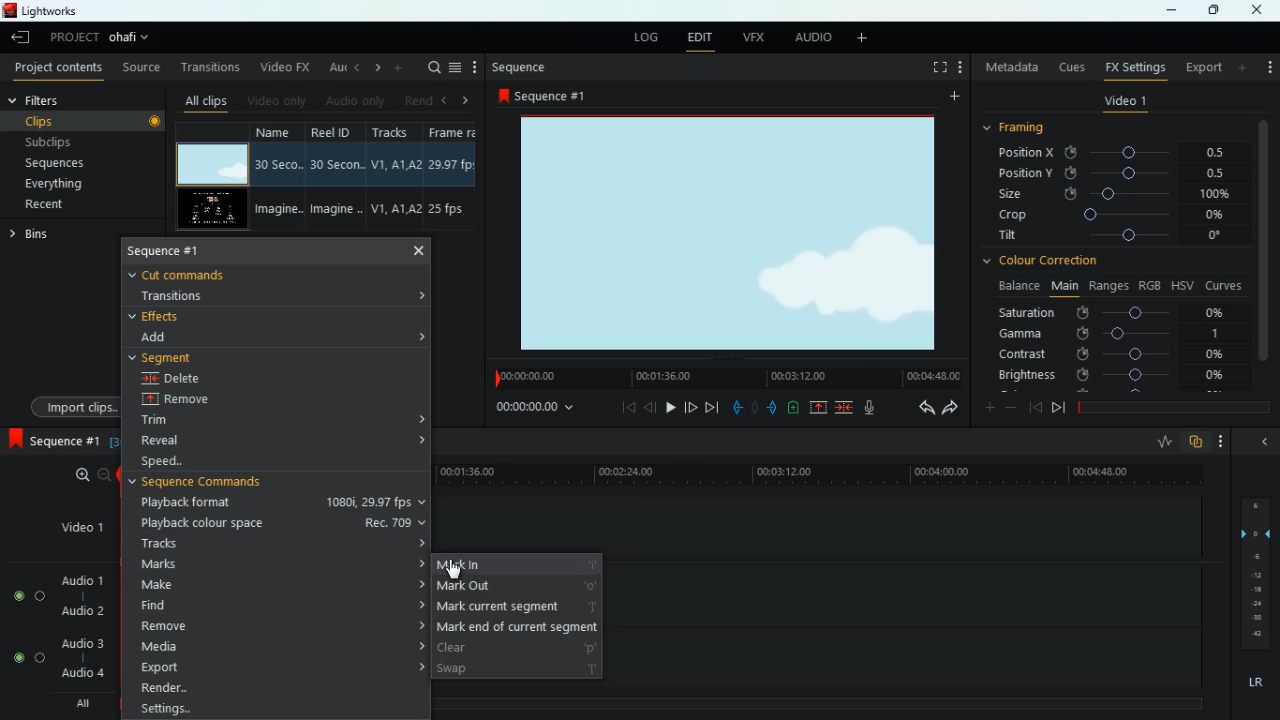  What do you see at coordinates (670, 406) in the screenshot?
I see `play` at bounding box center [670, 406].